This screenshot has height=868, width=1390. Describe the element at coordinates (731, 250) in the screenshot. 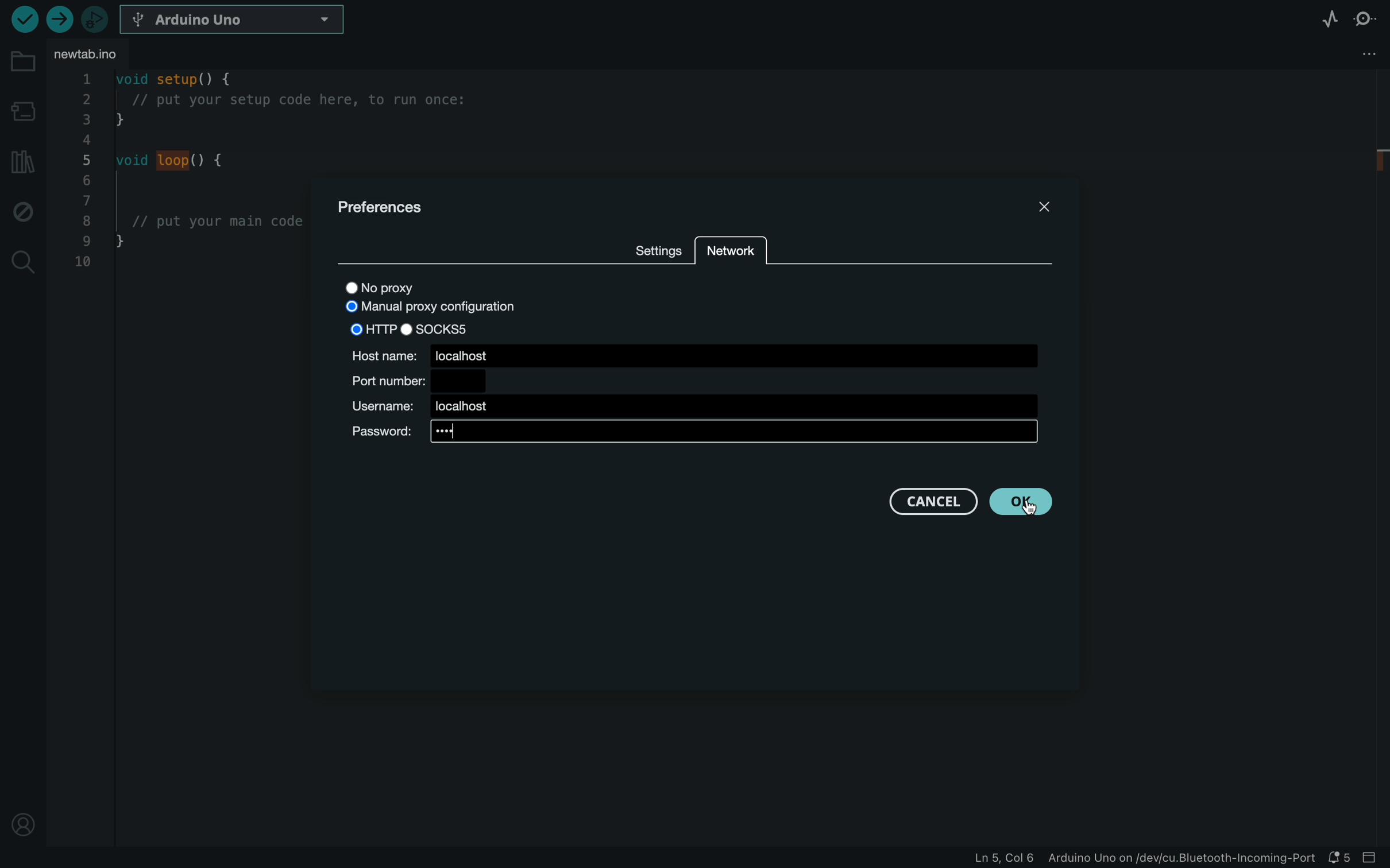

I see `NETWORK` at that location.